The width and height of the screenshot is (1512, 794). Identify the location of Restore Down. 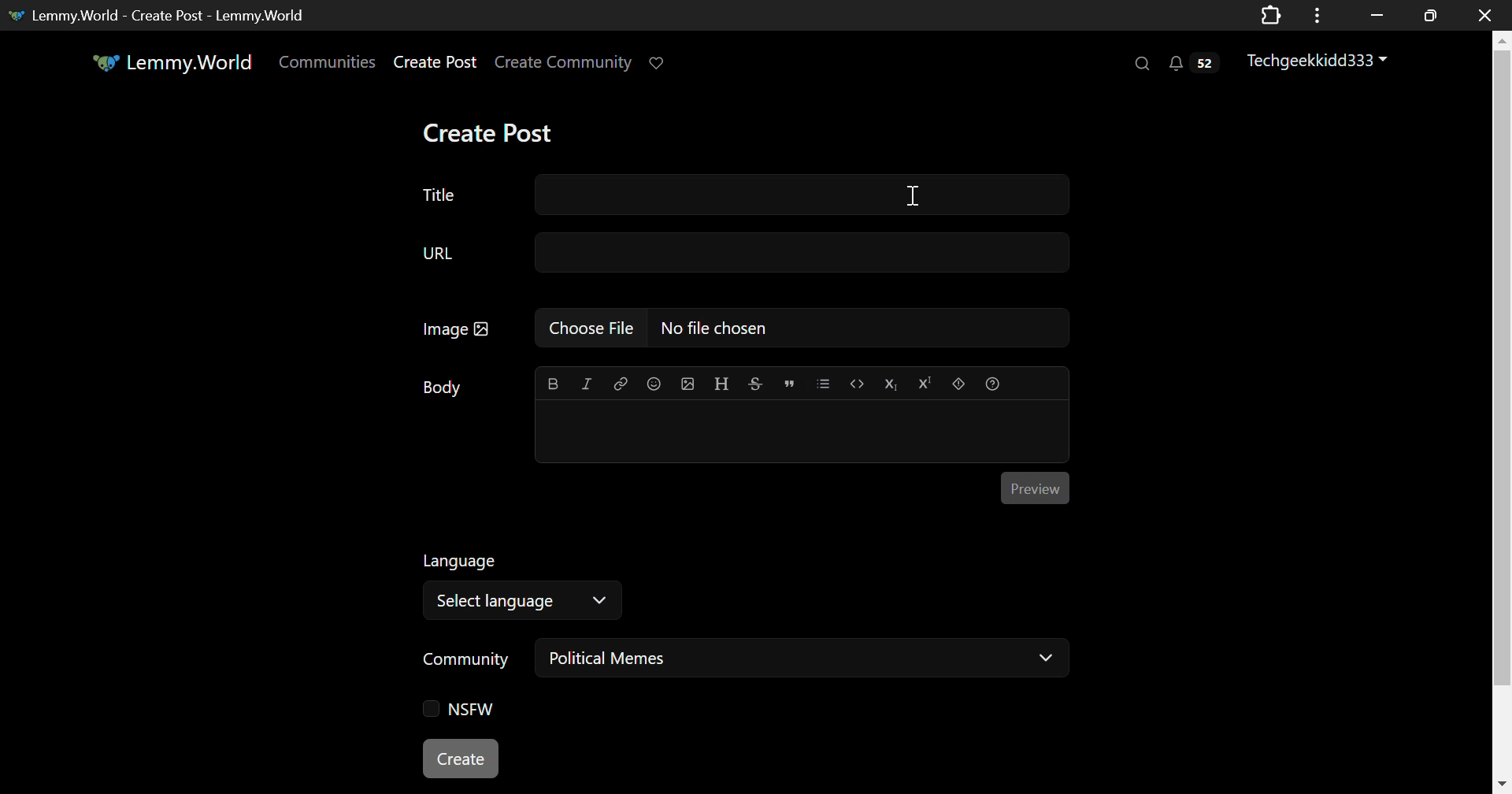
(1374, 15).